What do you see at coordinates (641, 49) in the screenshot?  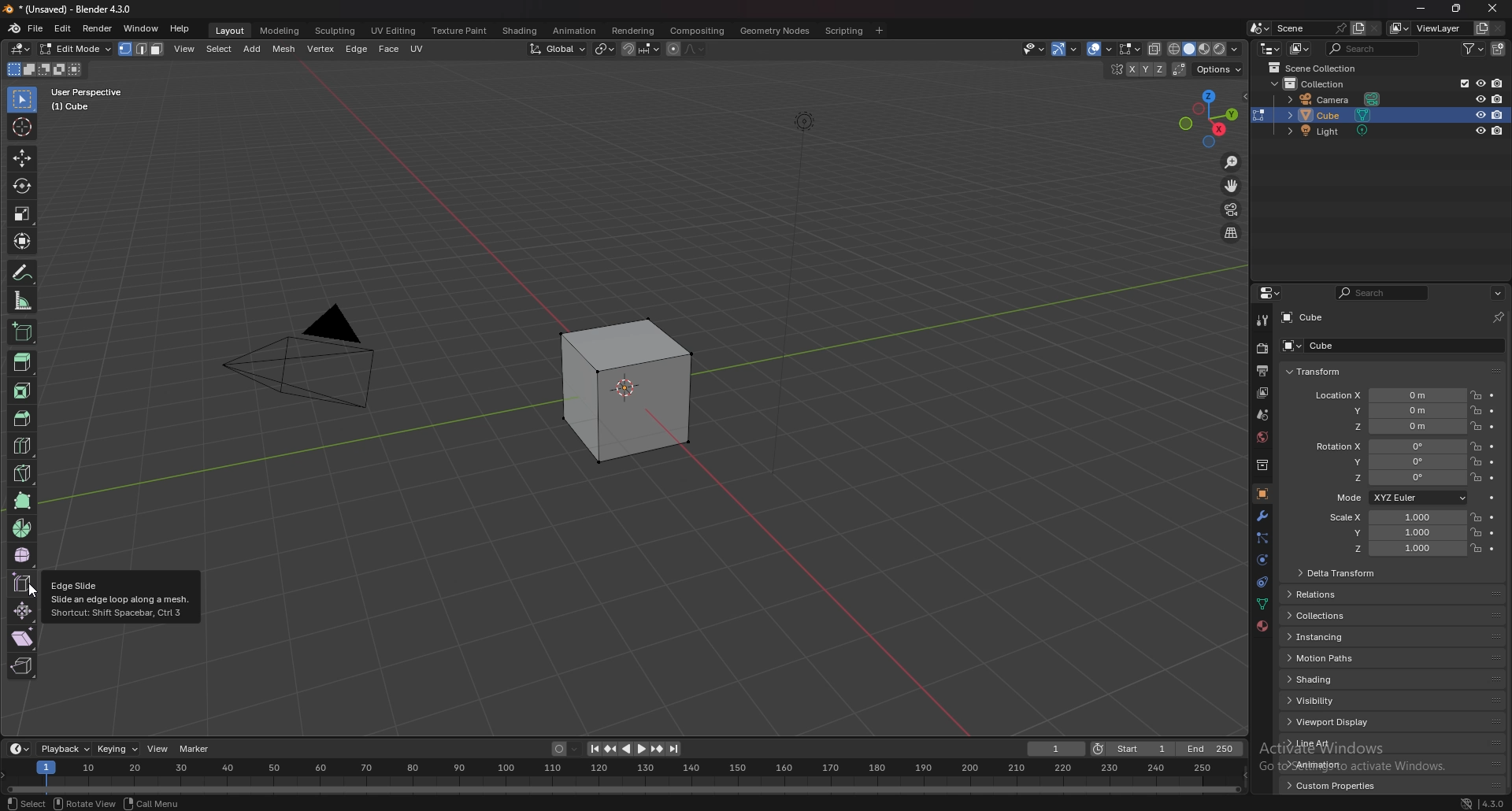 I see `snapping` at bounding box center [641, 49].